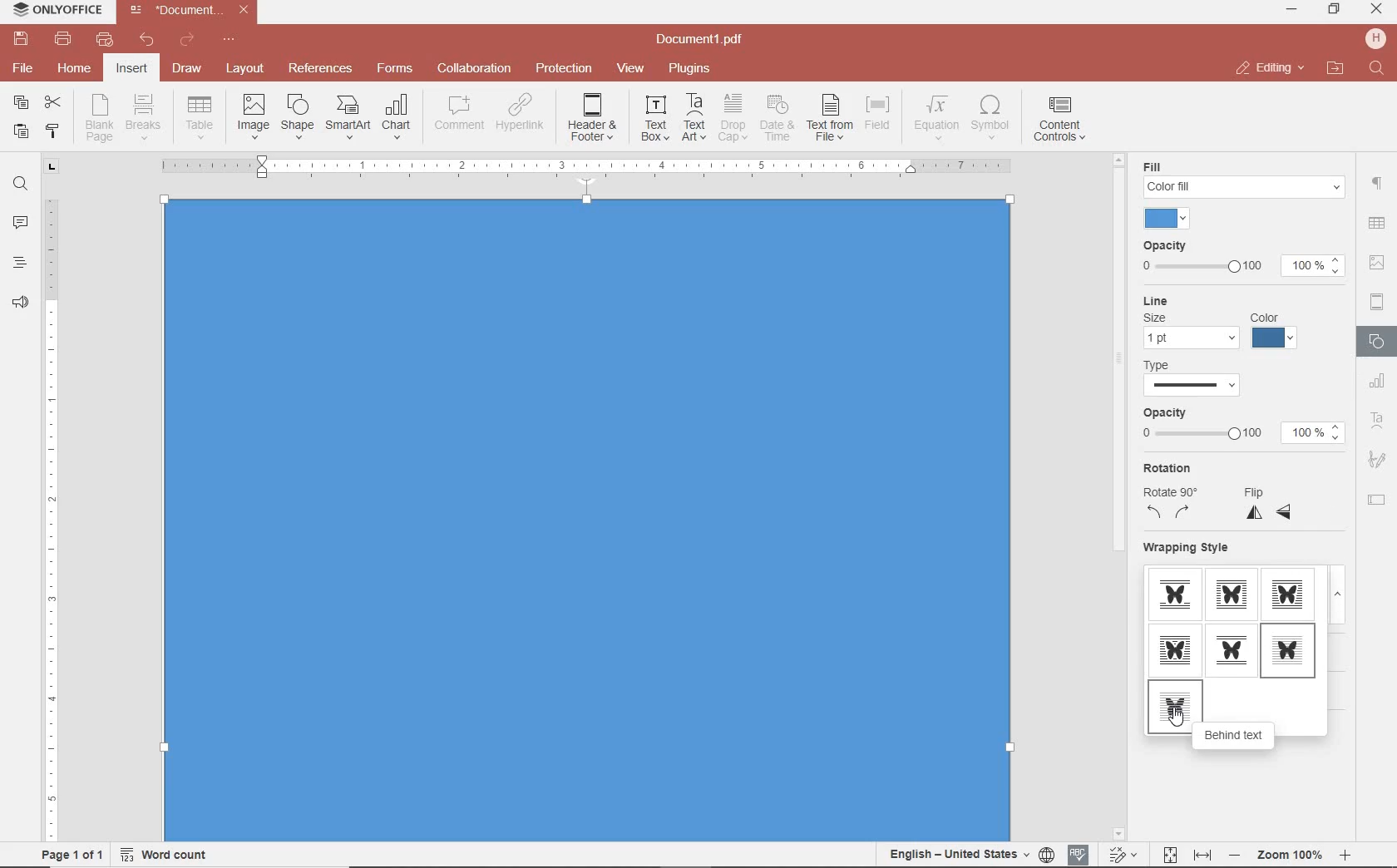 Image resolution: width=1397 pixels, height=868 pixels. I want to click on view, so click(630, 69).